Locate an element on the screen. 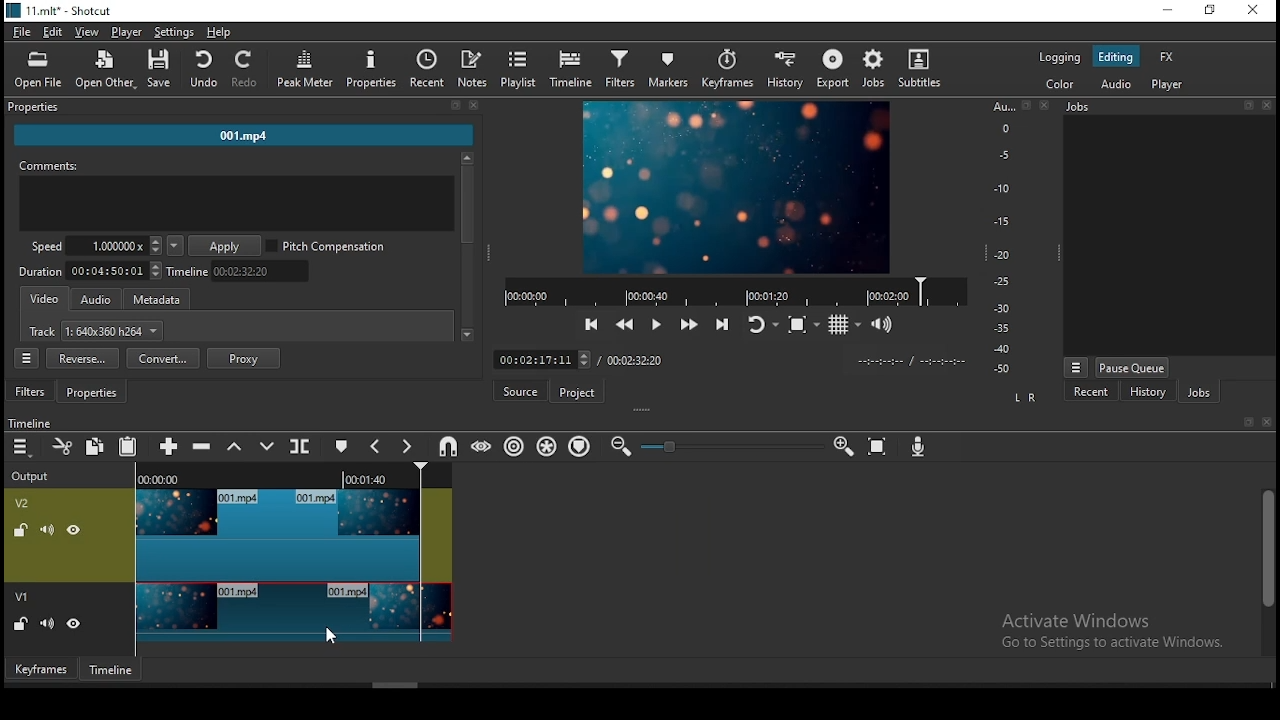 The height and width of the screenshot is (720, 1280). play quickly backwards is located at coordinates (625, 324).